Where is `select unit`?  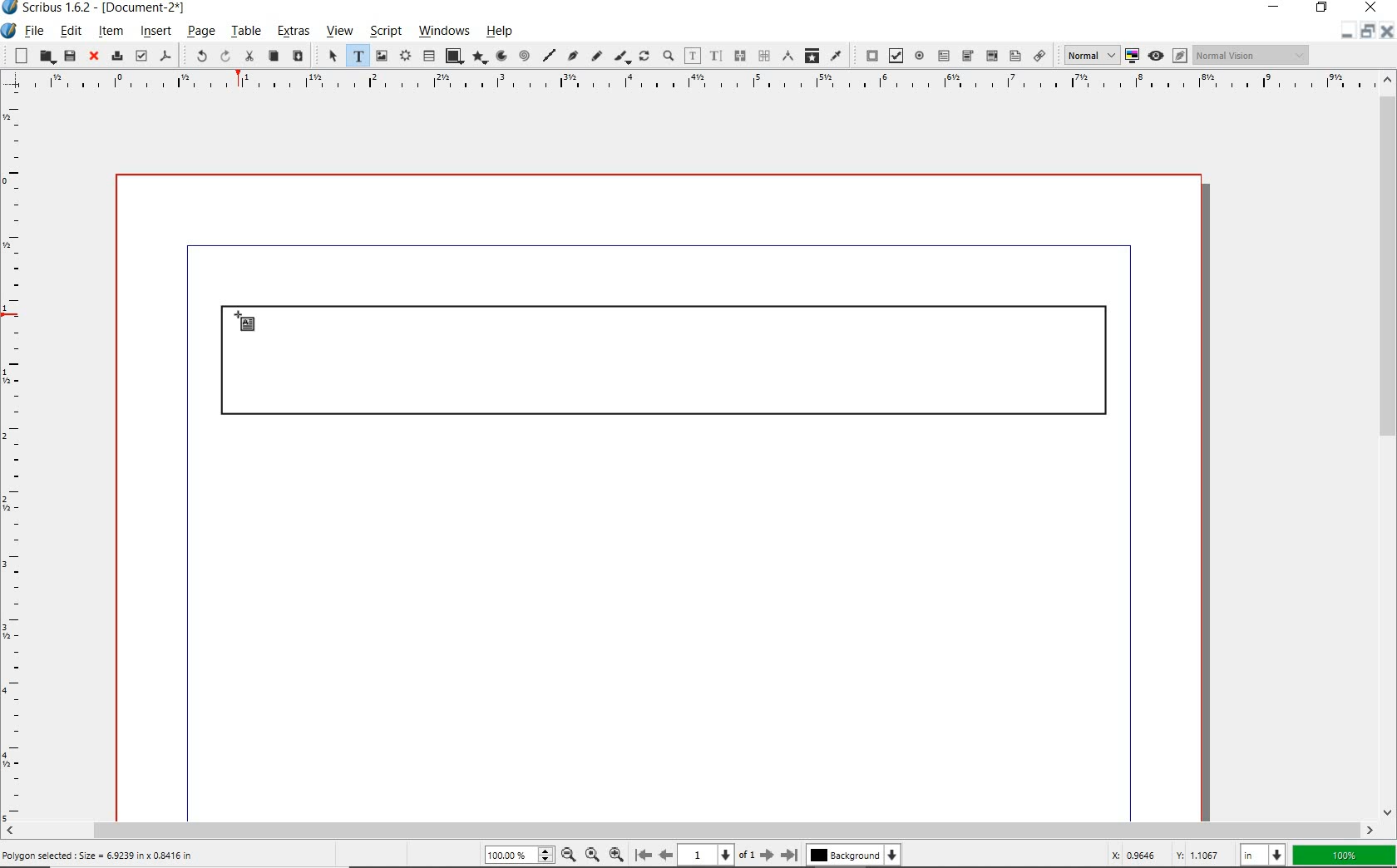
select unit is located at coordinates (1261, 856).